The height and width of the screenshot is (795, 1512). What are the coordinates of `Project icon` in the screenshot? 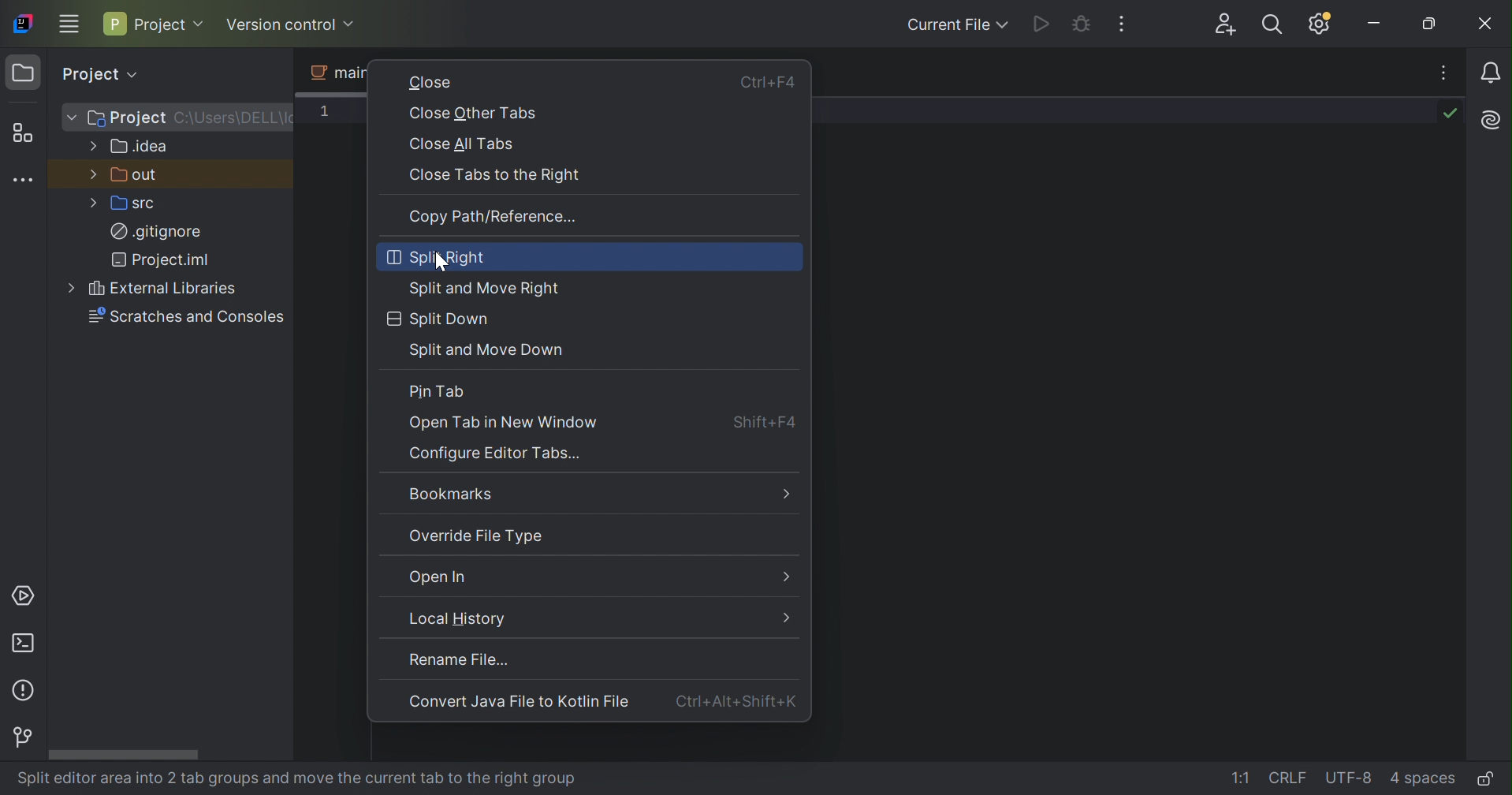 It's located at (23, 74).